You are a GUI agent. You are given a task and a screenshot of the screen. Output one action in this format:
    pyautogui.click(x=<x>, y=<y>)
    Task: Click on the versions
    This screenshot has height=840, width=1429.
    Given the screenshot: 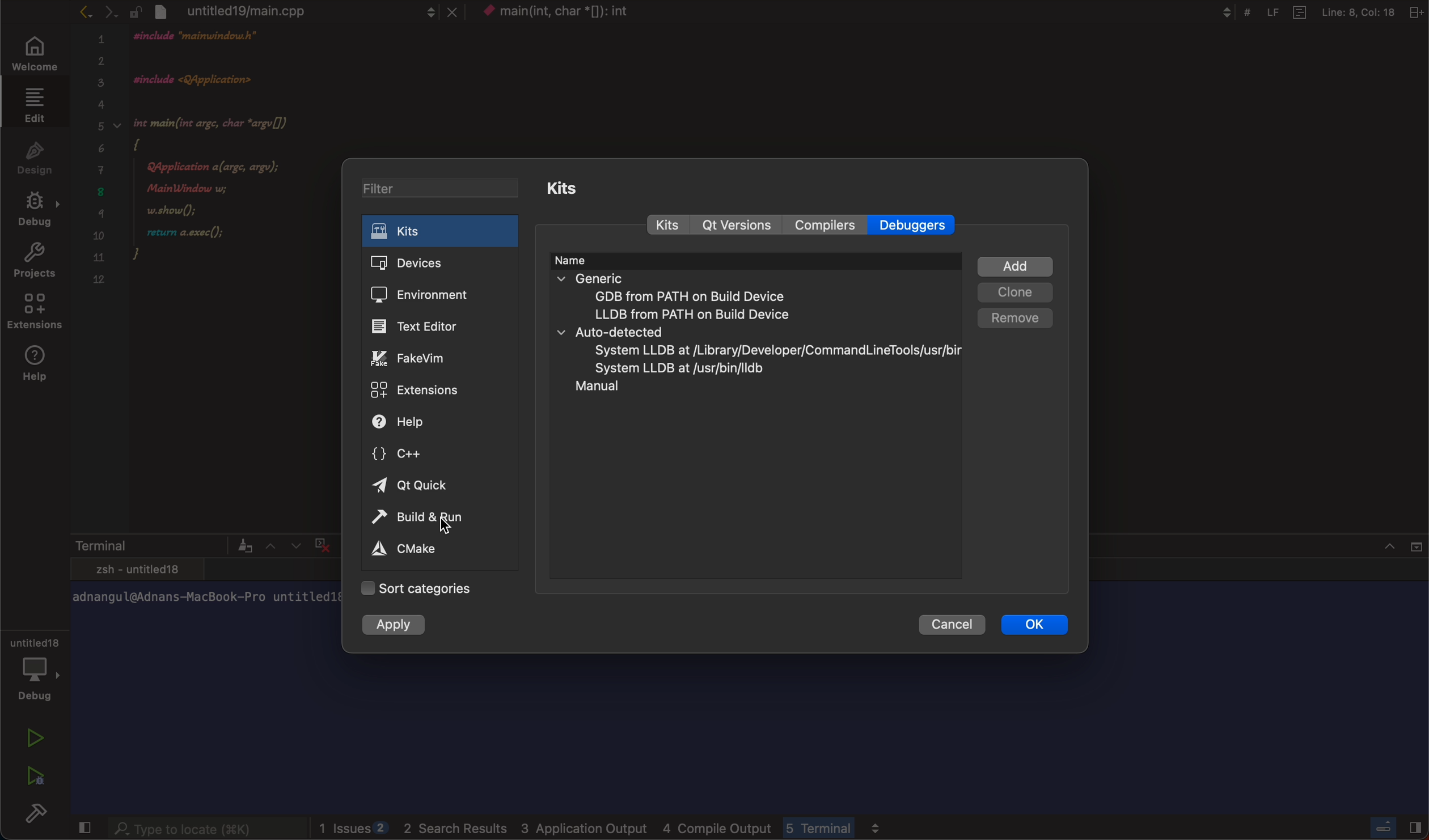 What is the action you would take?
    pyautogui.click(x=738, y=226)
    